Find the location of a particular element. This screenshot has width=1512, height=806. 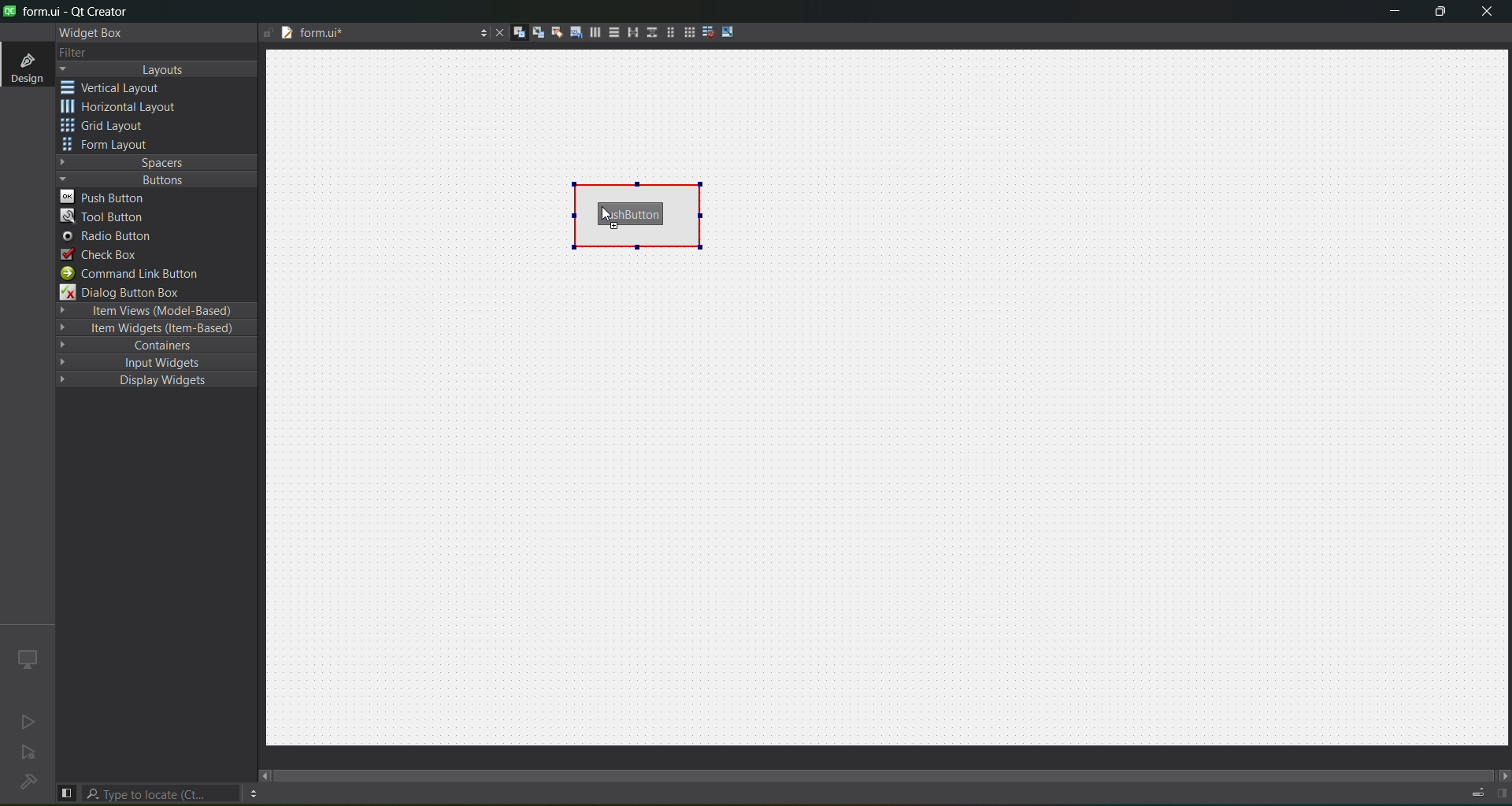

form layout is located at coordinates (108, 146).